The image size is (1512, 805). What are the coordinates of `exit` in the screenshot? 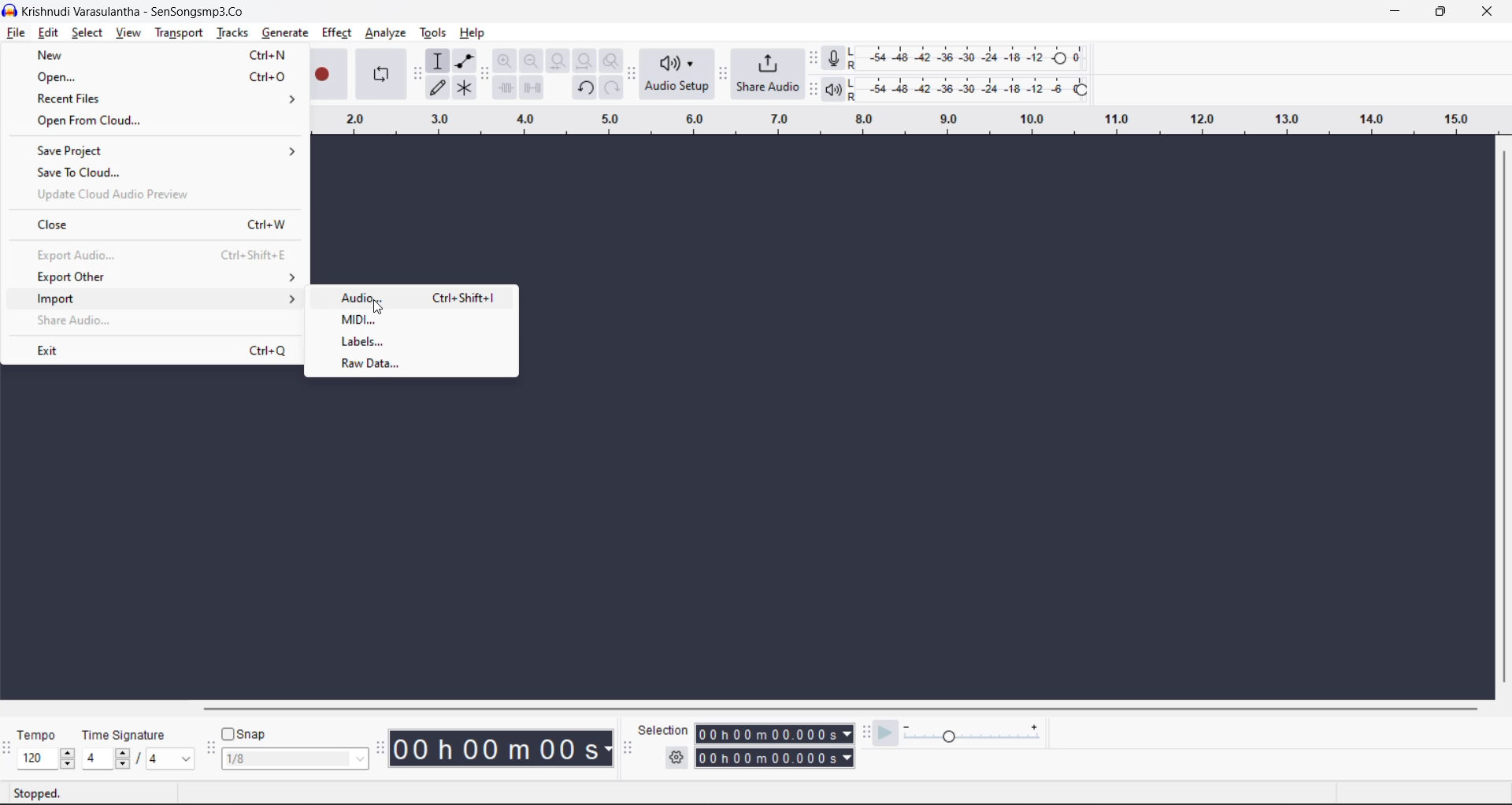 It's located at (161, 353).